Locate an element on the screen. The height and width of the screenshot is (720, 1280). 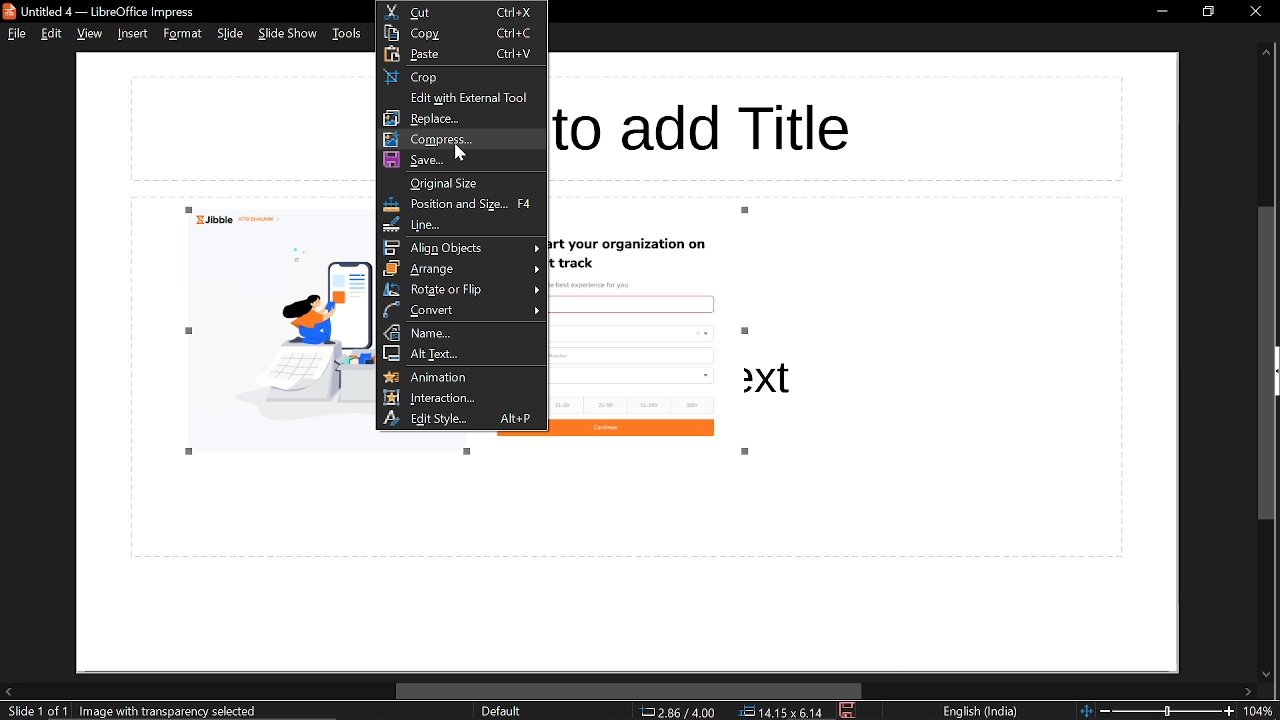
restore and flip is located at coordinates (464, 289).